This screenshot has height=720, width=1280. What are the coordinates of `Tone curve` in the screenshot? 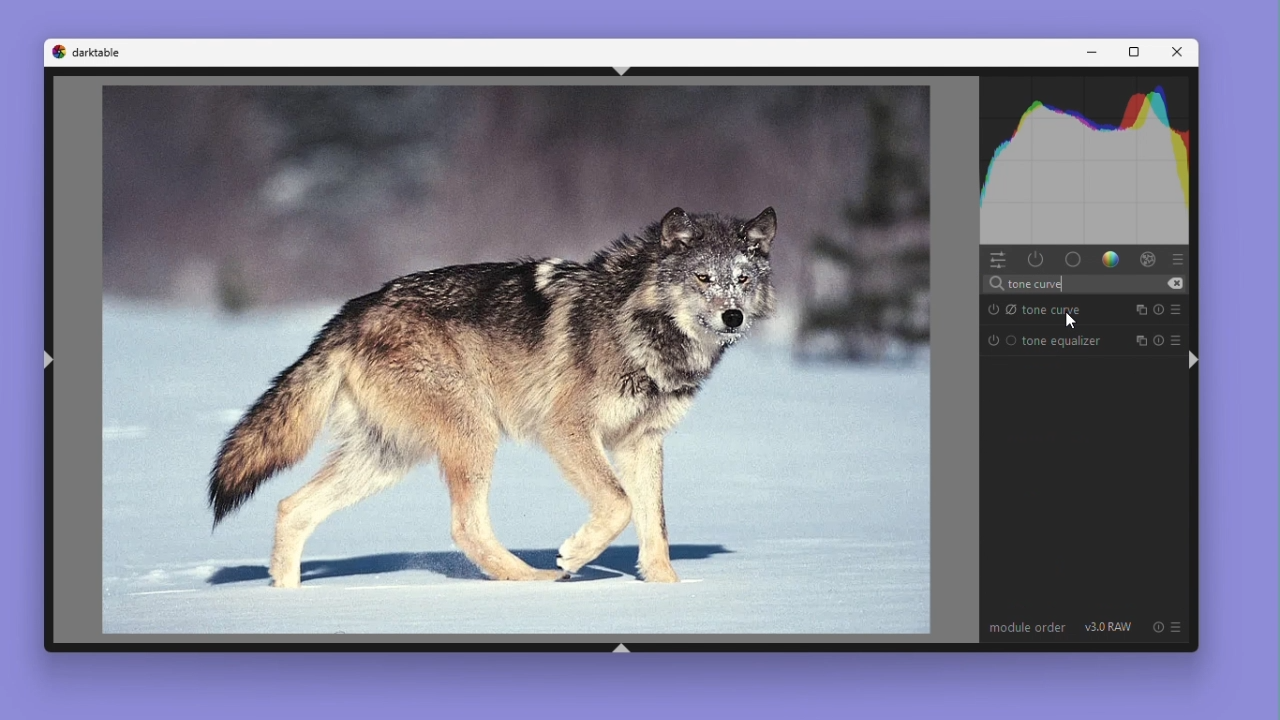 It's located at (1044, 309).